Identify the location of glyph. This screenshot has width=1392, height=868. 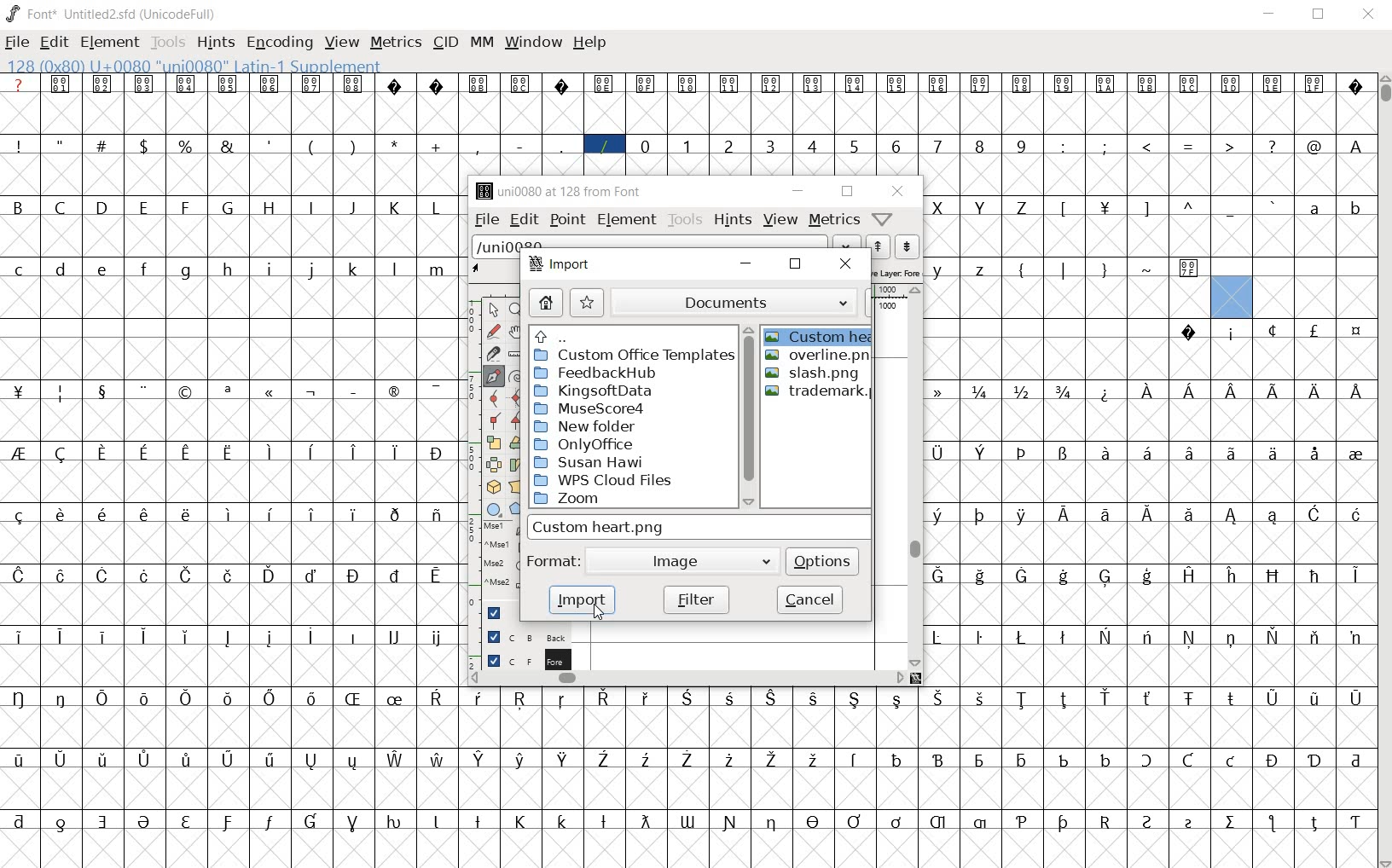
(1105, 515).